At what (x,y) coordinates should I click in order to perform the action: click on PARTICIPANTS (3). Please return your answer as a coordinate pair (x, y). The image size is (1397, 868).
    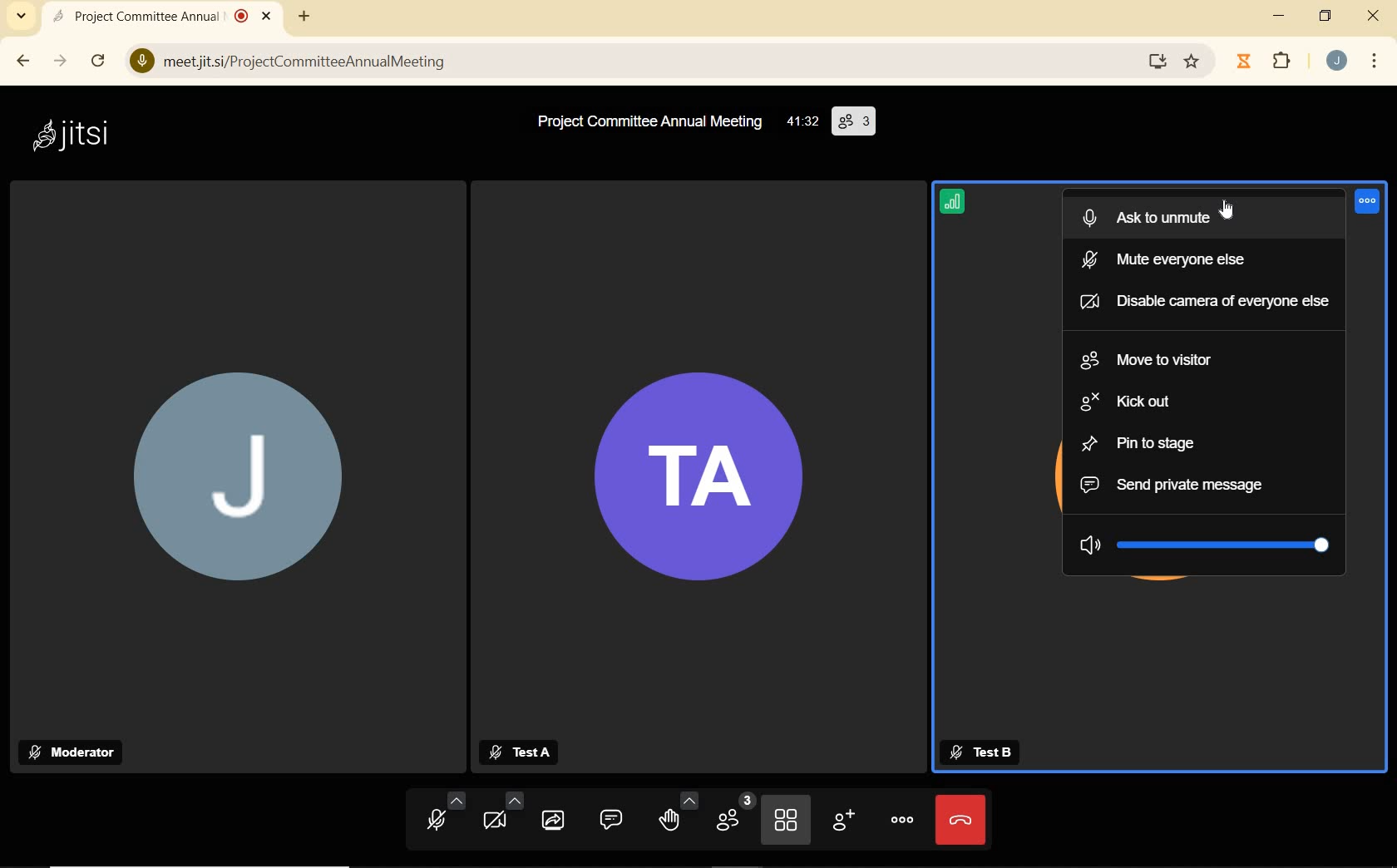
    Looking at the image, I should click on (854, 121).